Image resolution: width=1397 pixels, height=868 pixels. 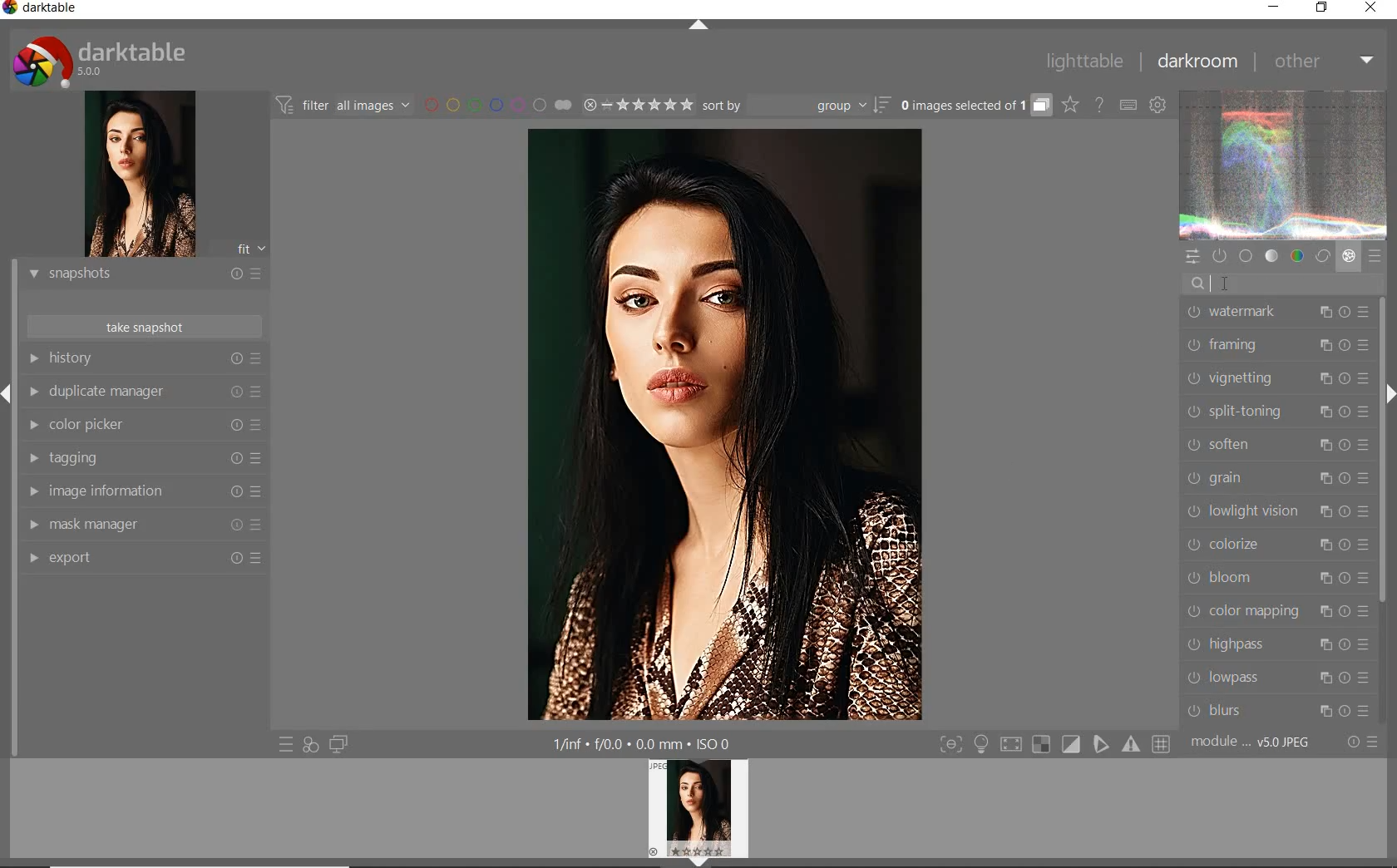 What do you see at coordinates (1013, 746) in the screenshot?
I see `sign ` at bounding box center [1013, 746].